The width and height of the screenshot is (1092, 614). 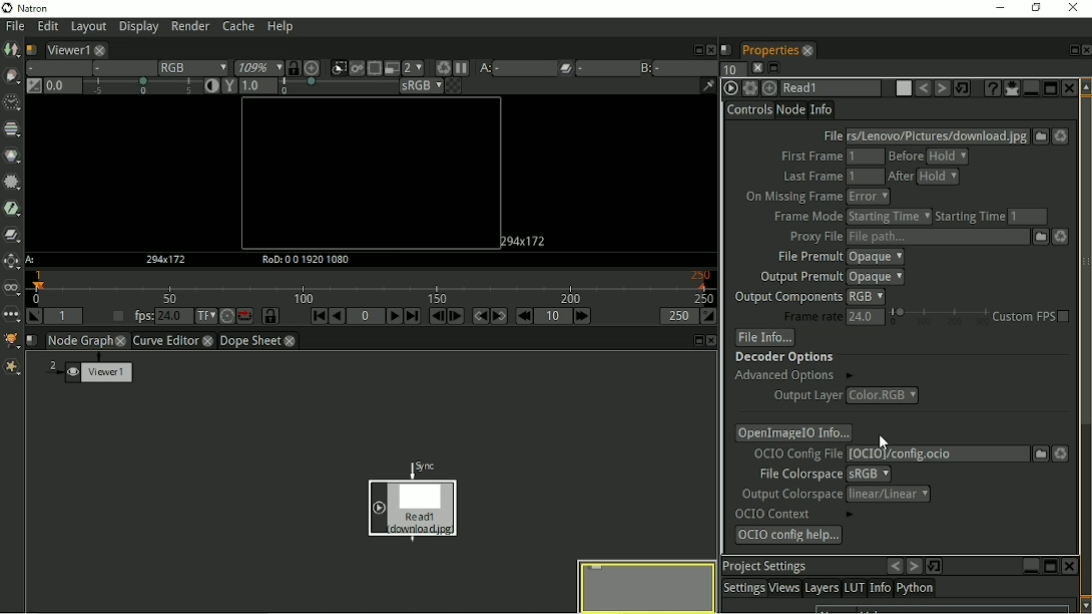 I want to click on  Info, so click(x=880, y=587).